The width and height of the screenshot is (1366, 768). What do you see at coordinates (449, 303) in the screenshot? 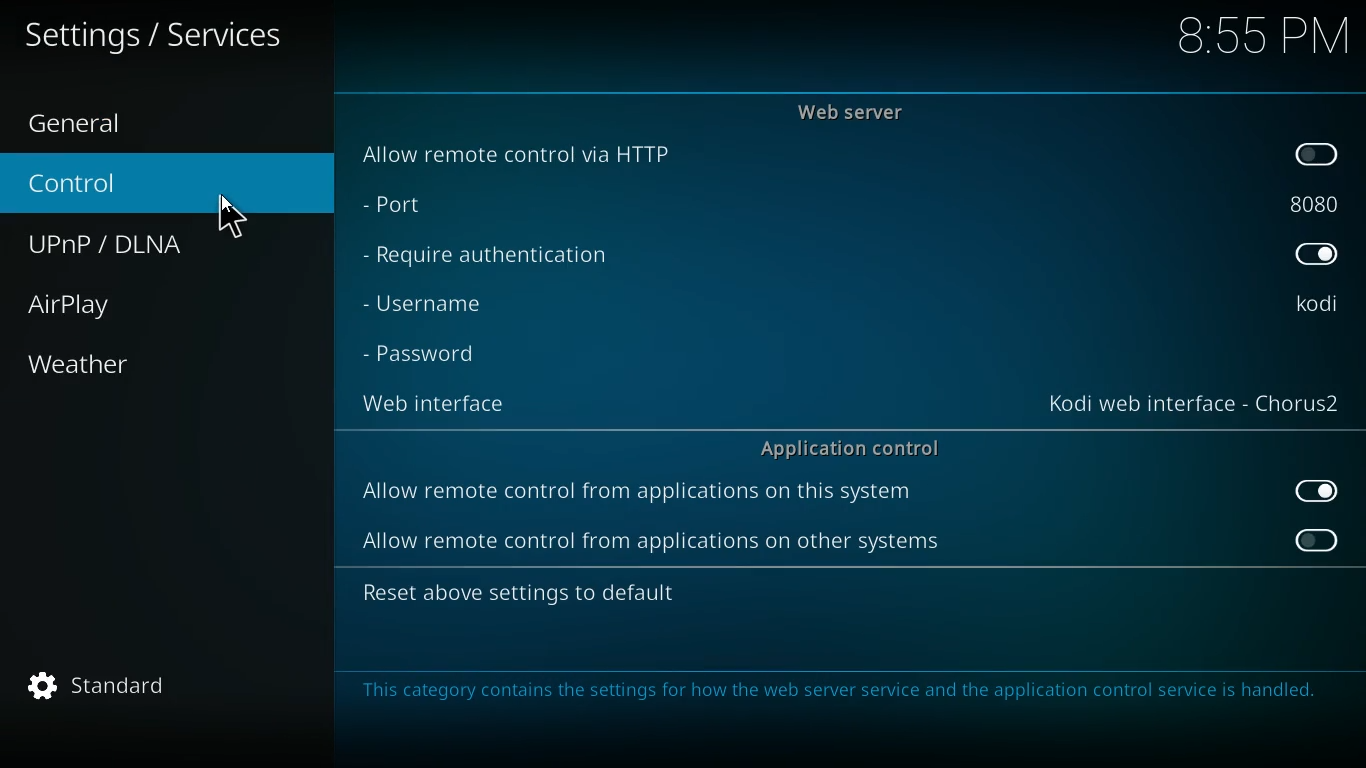
I see `username` at bounding box center [449, 303].